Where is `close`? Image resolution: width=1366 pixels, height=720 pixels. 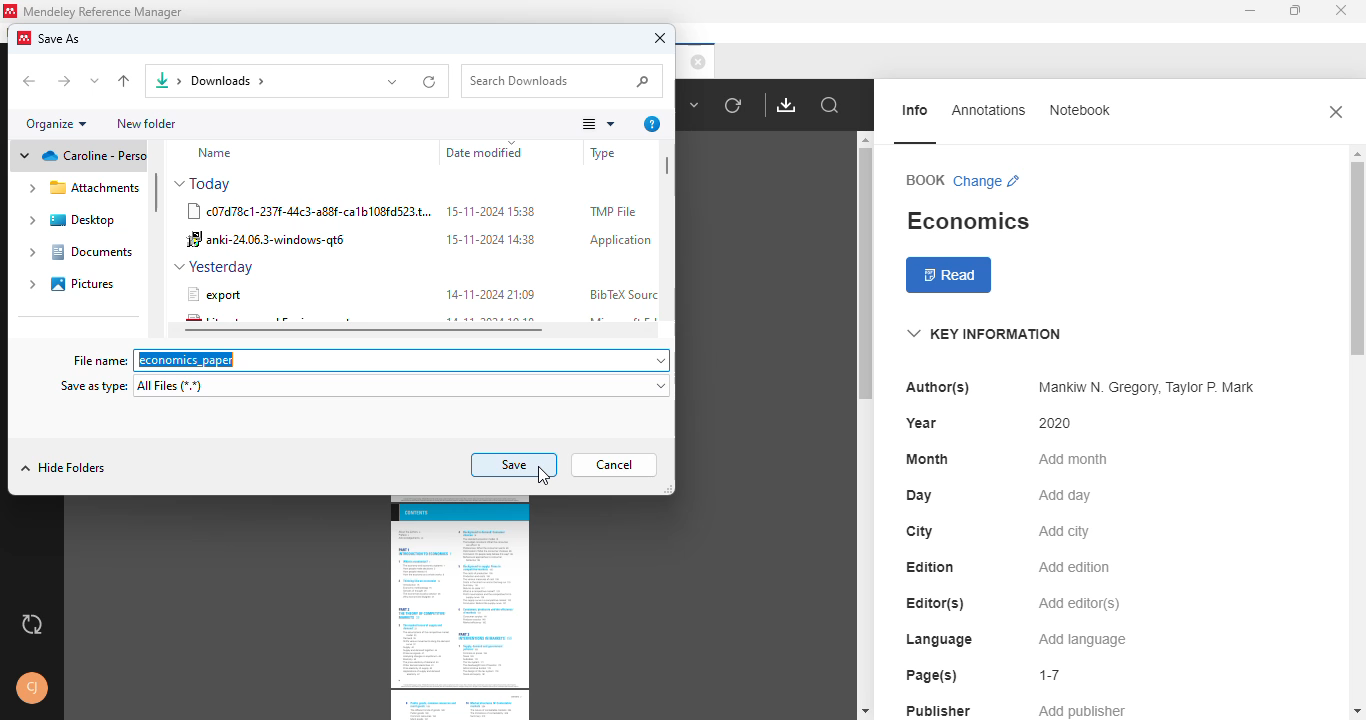
close is located at coordinates (1336, 111).